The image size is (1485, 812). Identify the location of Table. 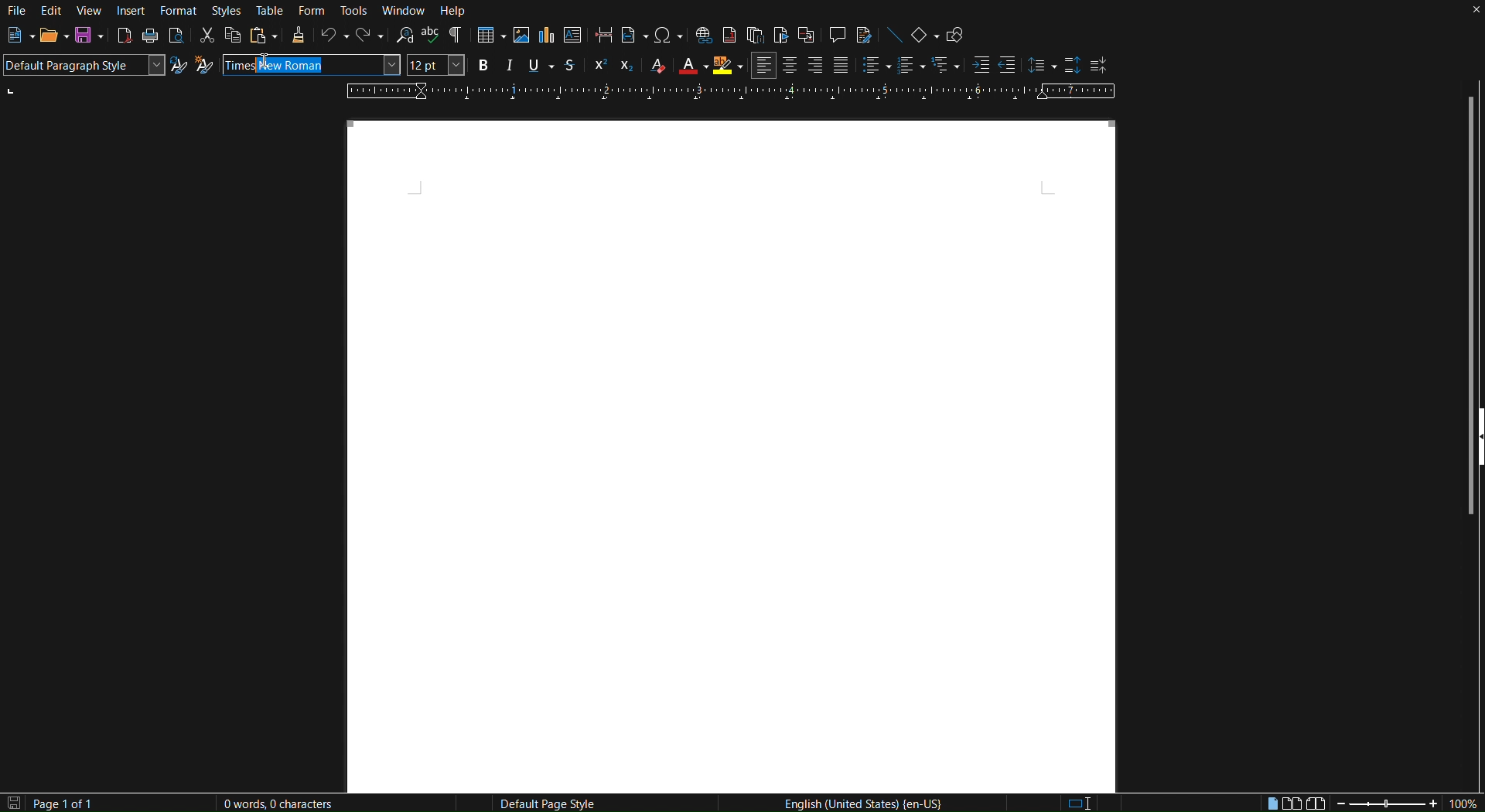
(271, 11).